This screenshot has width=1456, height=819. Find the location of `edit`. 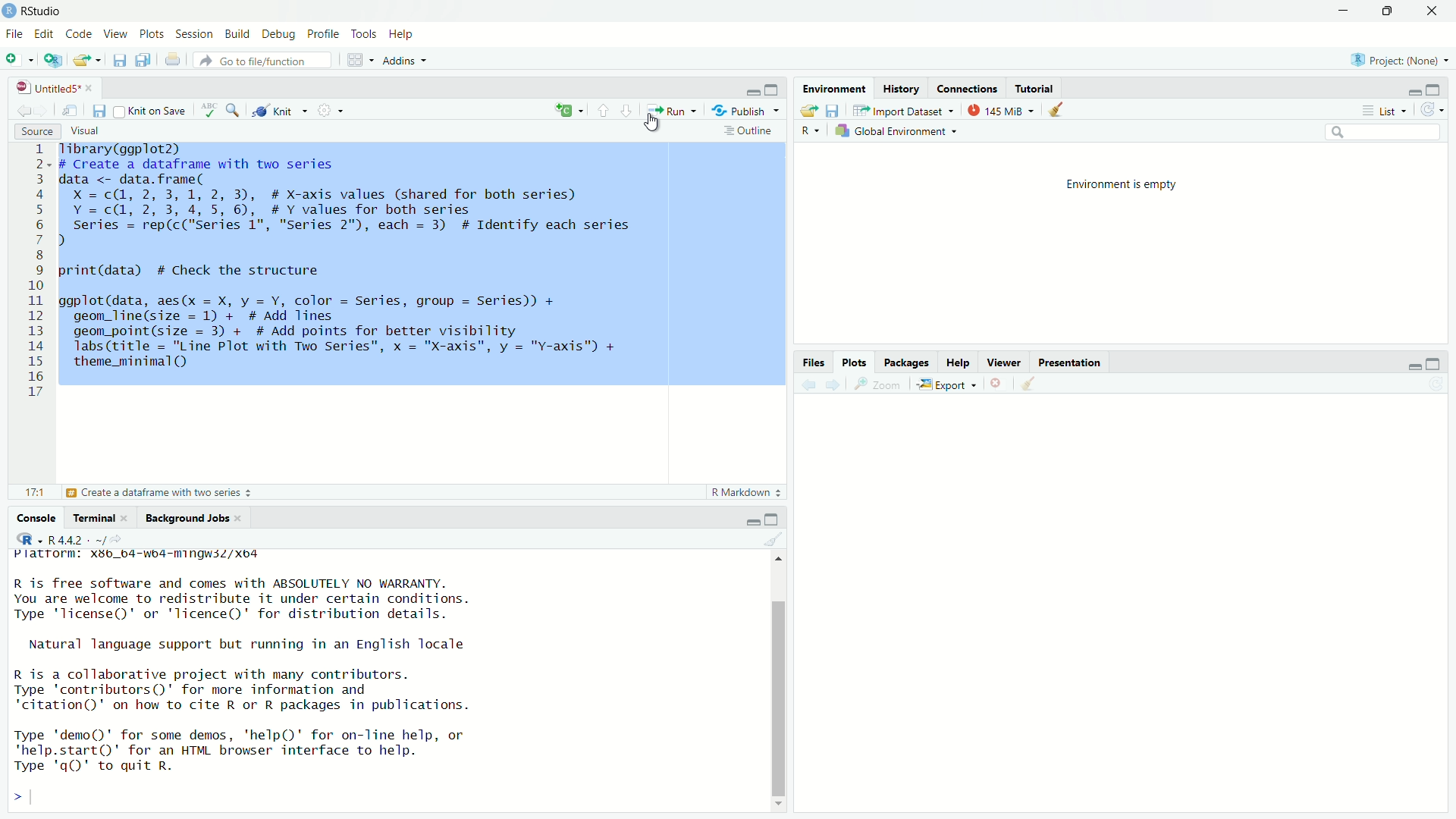

edit is located at coordinates (45, 36).